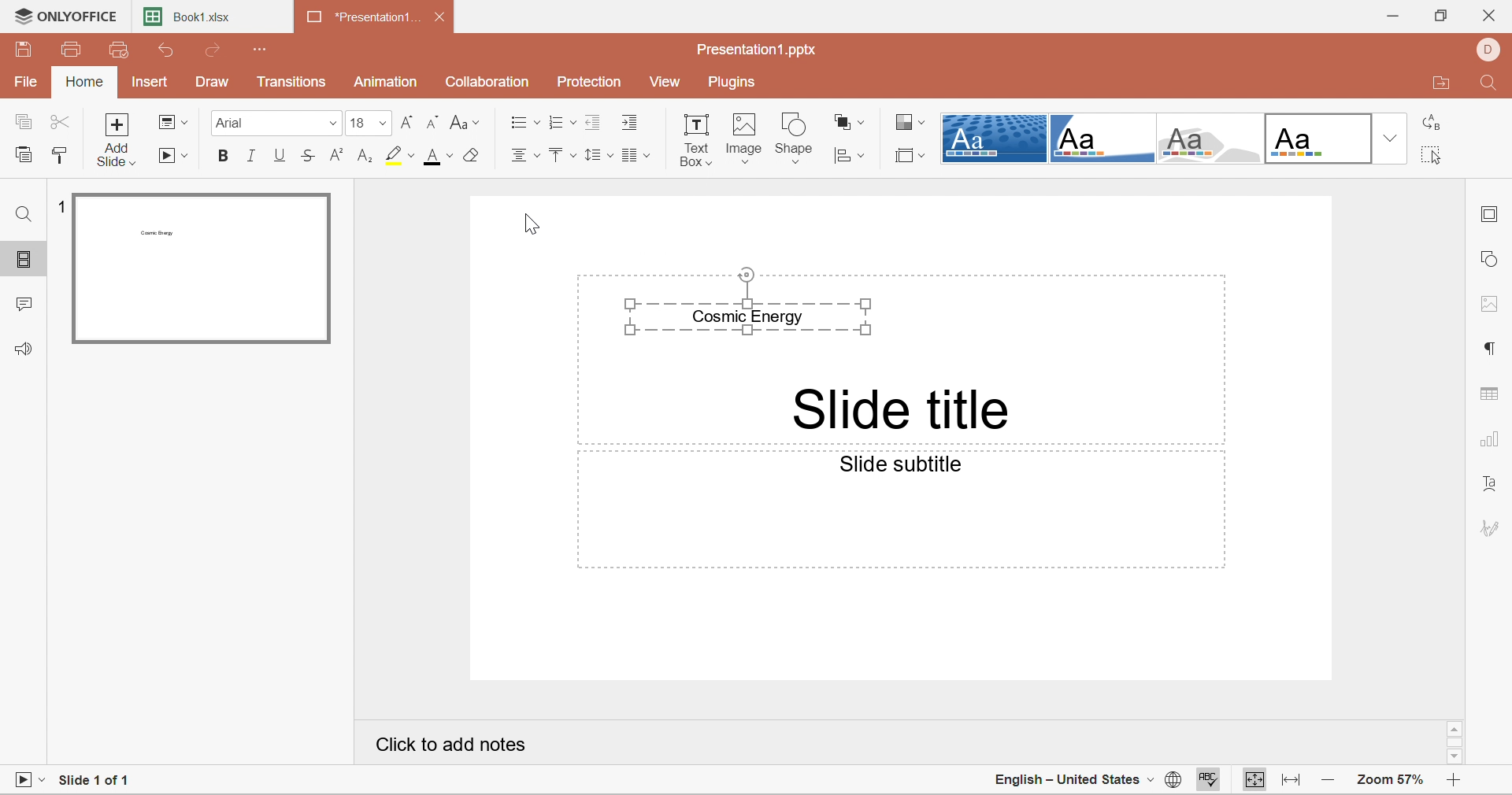 The height and width of the screenshot is (795, 1512). What do you see at coordinates (465, 122) in the screenshot?
I see `Change Case` at bounding box center [465, 122].